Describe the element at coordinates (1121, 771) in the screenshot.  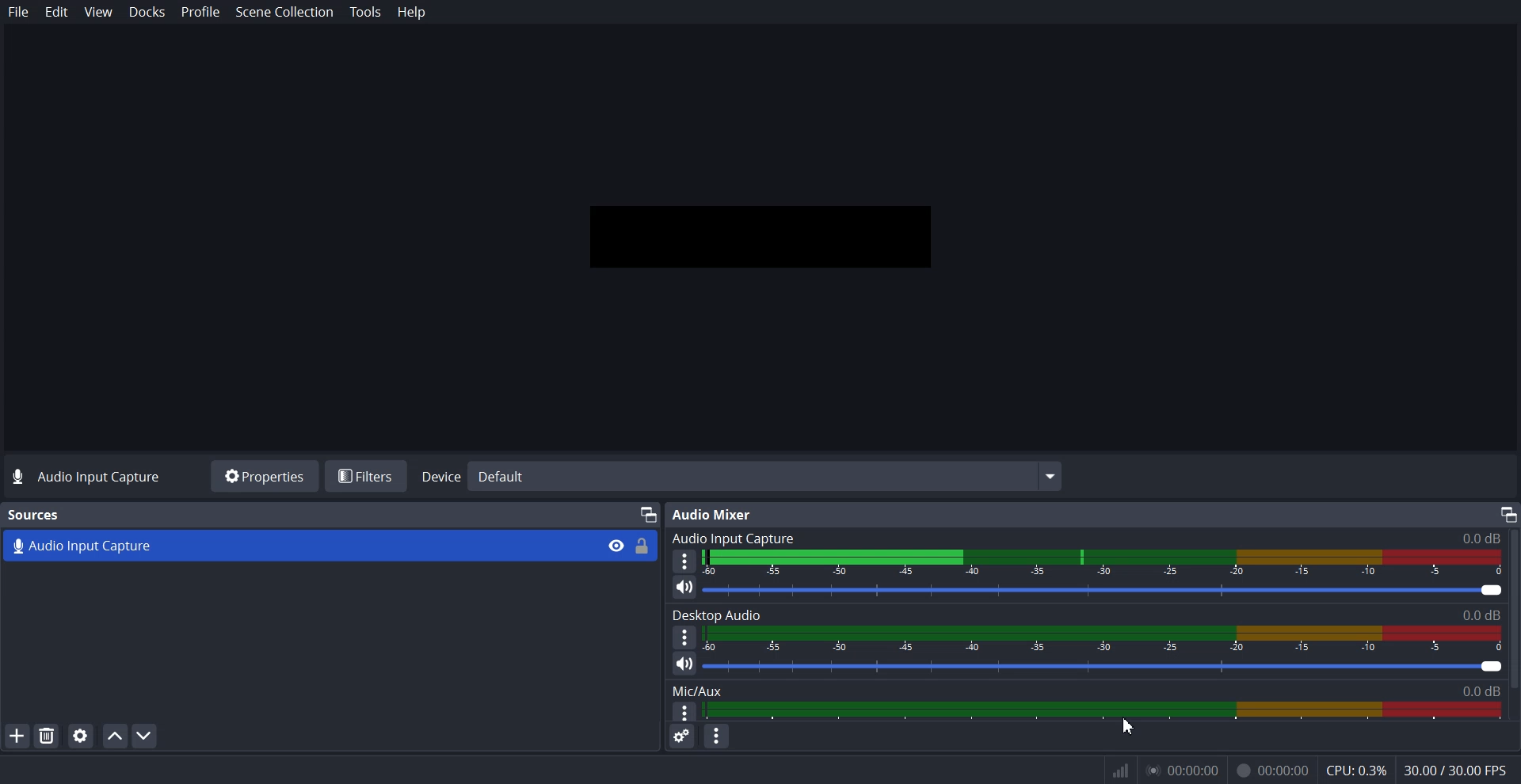
I see `Inf` at that location.